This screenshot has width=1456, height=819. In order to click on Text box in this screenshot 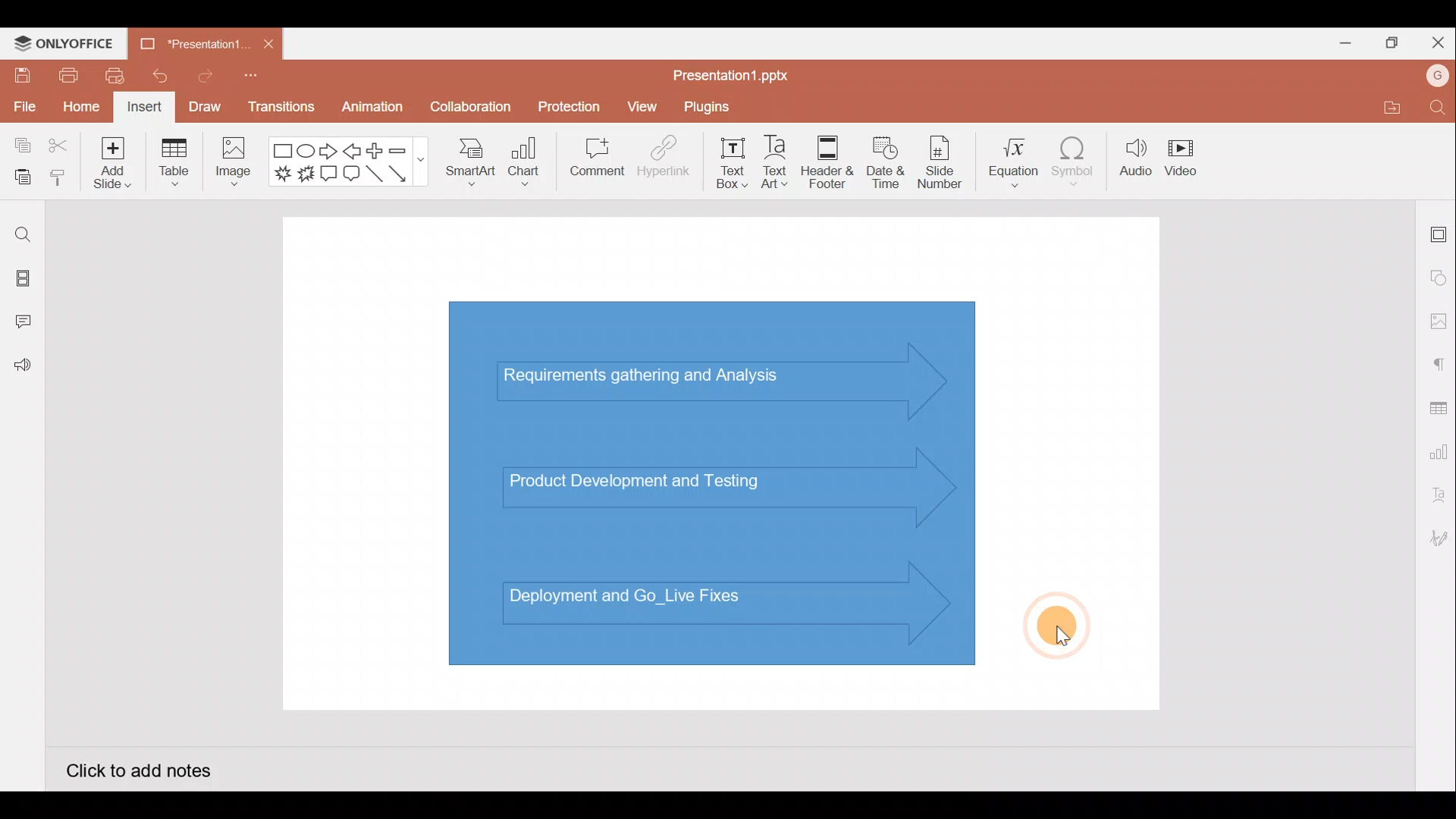, I will do `click(733, 163)`.